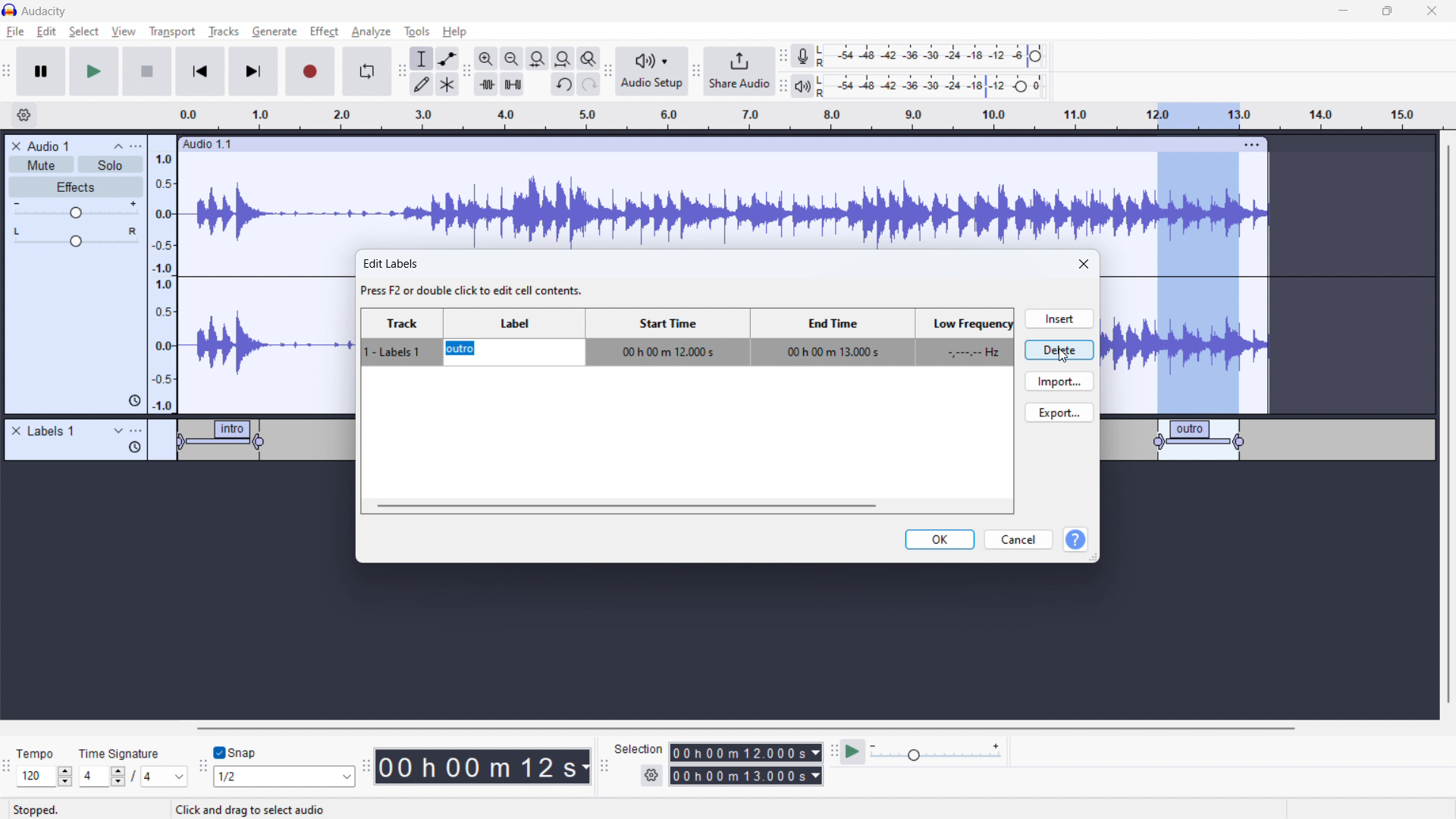  What do you see at coordinates (422, 58) in the screenshot?
I see `selection tool` at bounding box center [422, 58].